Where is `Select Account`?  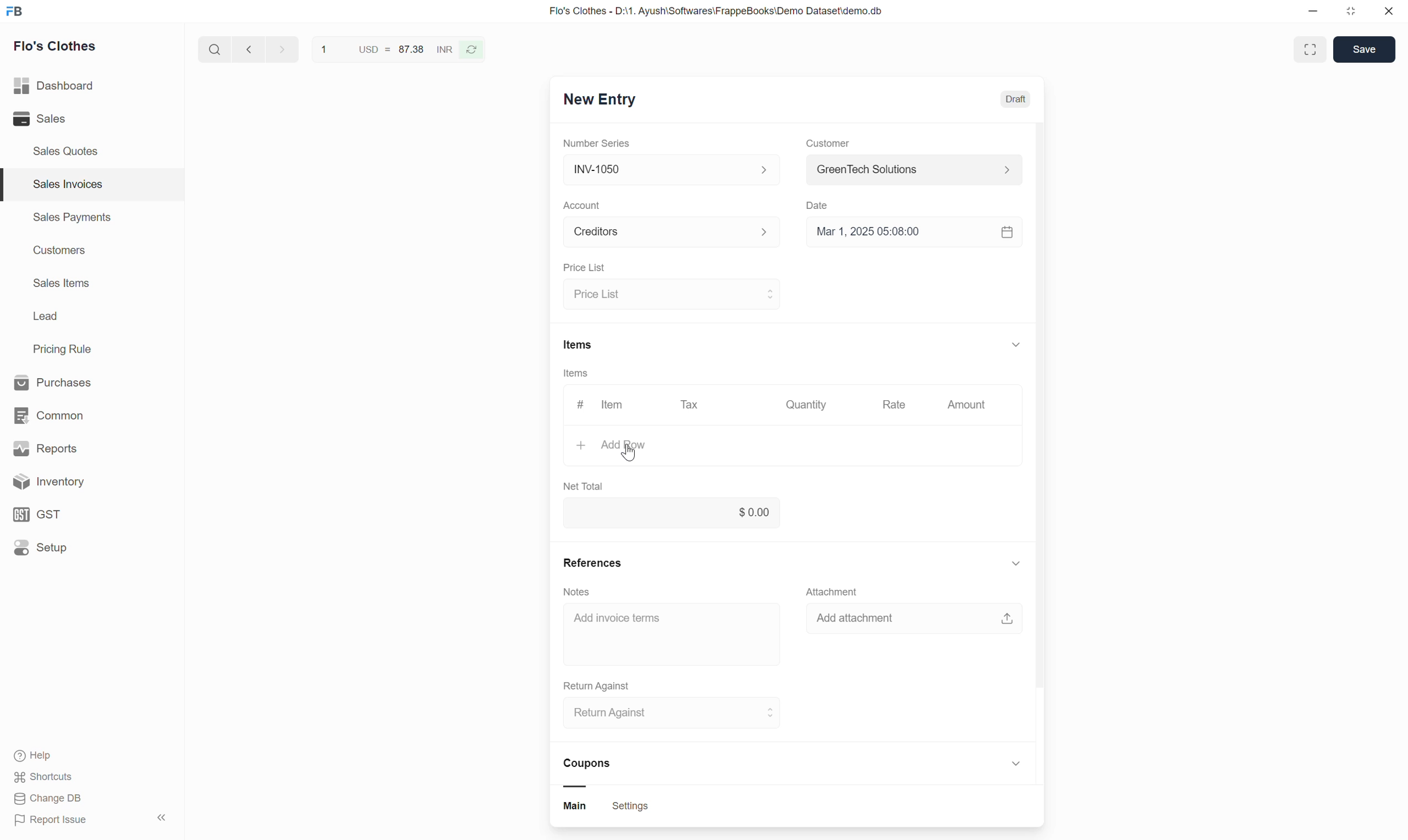
Select Account is located at coordinates (666, 235).